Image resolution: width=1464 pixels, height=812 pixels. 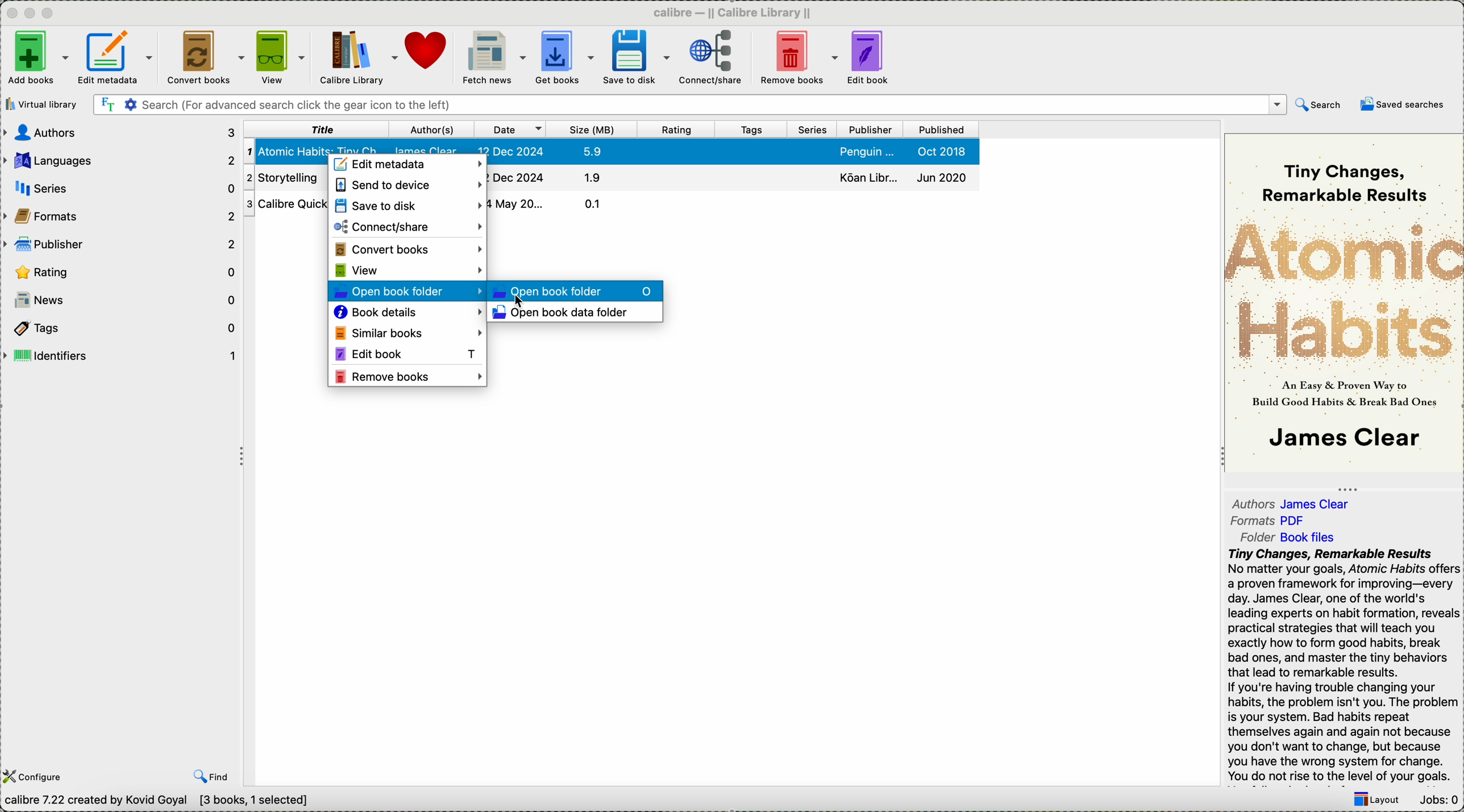 I want to click on details, so click(x=547, y=202).